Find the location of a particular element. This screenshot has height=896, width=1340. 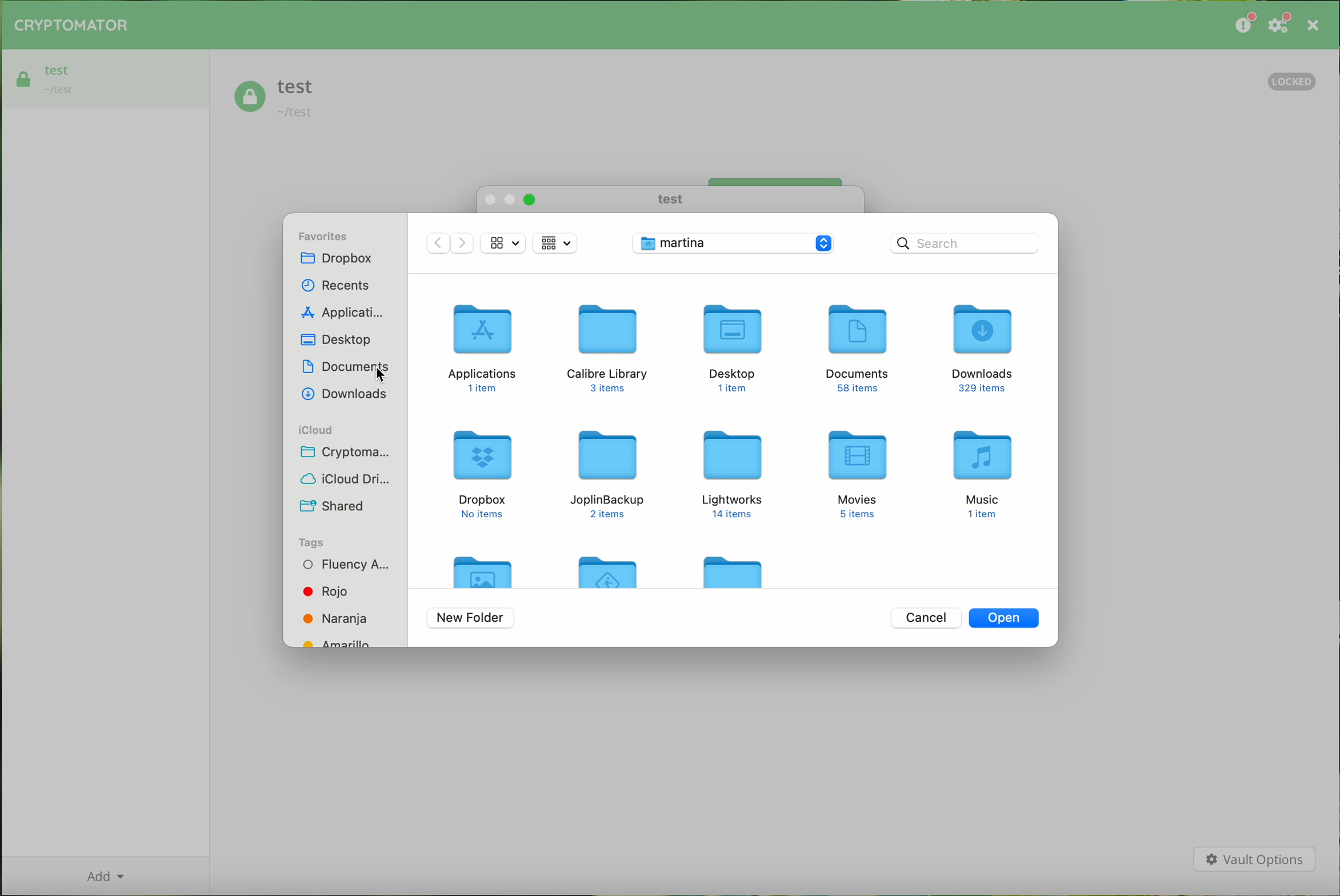

open  is located at coordinates (1005, 617).